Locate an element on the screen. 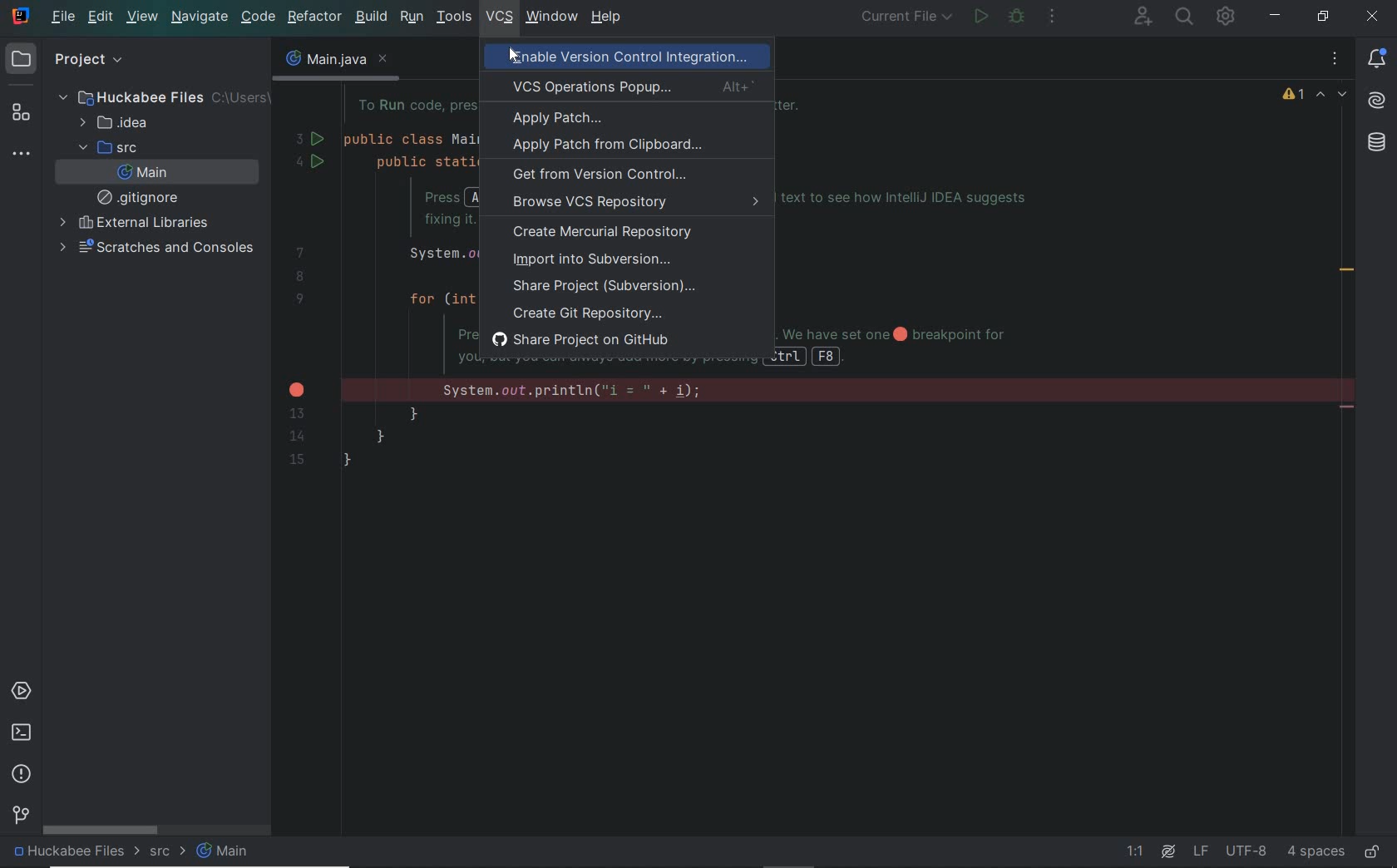 The width and height of the screenshot is (1397, 868). file is located at coordinates (63, 19).